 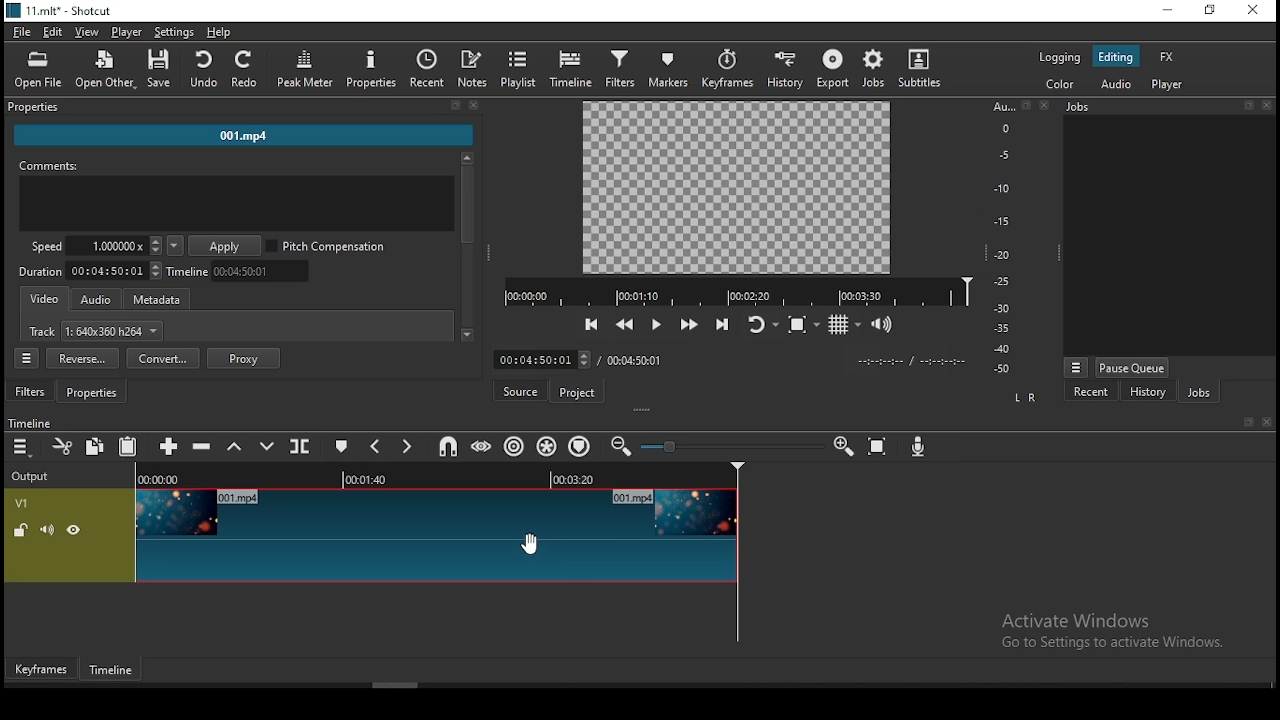 I want to click on jobs, so click(x=1169, y=106).